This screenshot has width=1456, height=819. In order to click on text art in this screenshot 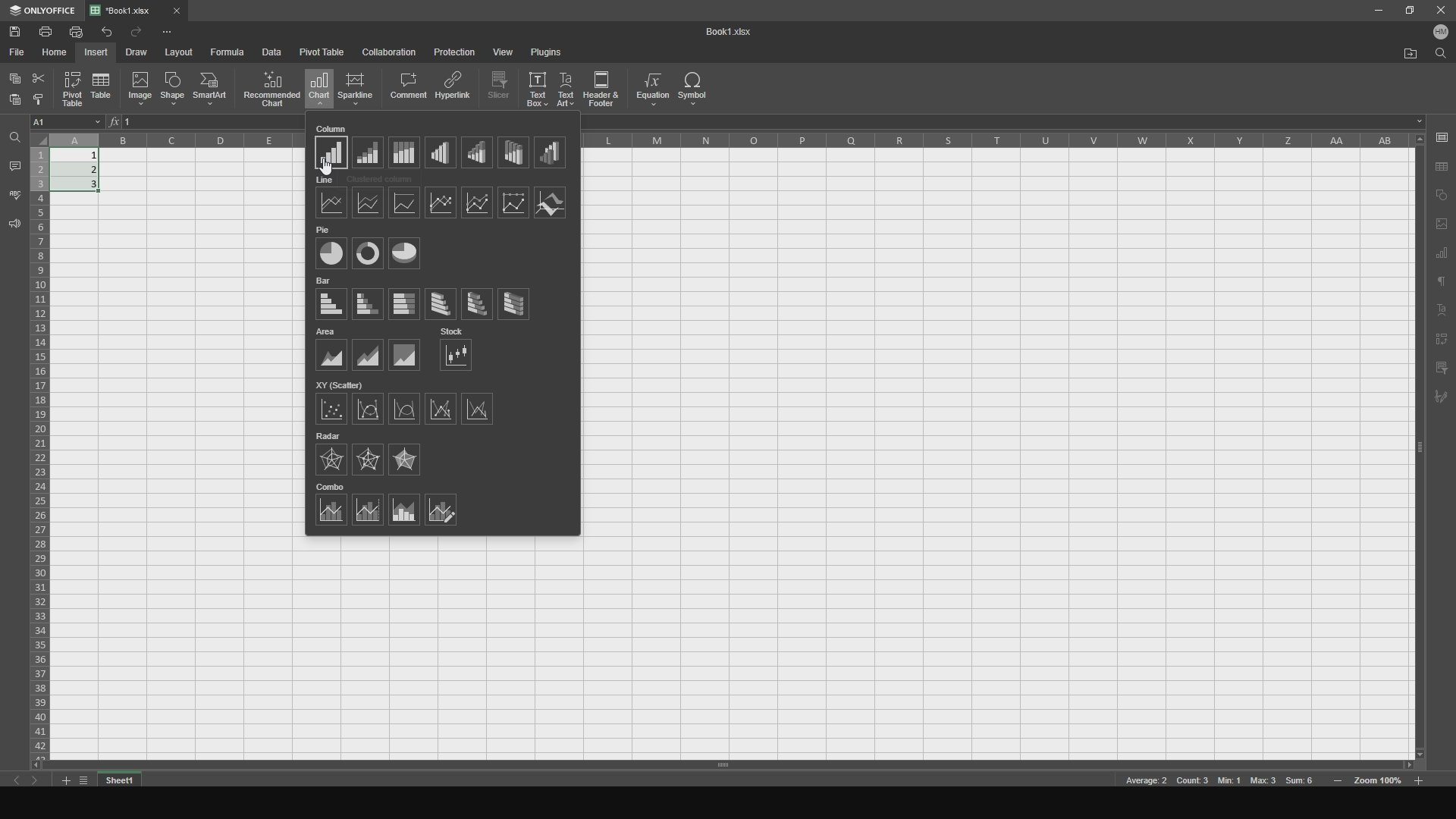, I will do `click(566, 91)`.